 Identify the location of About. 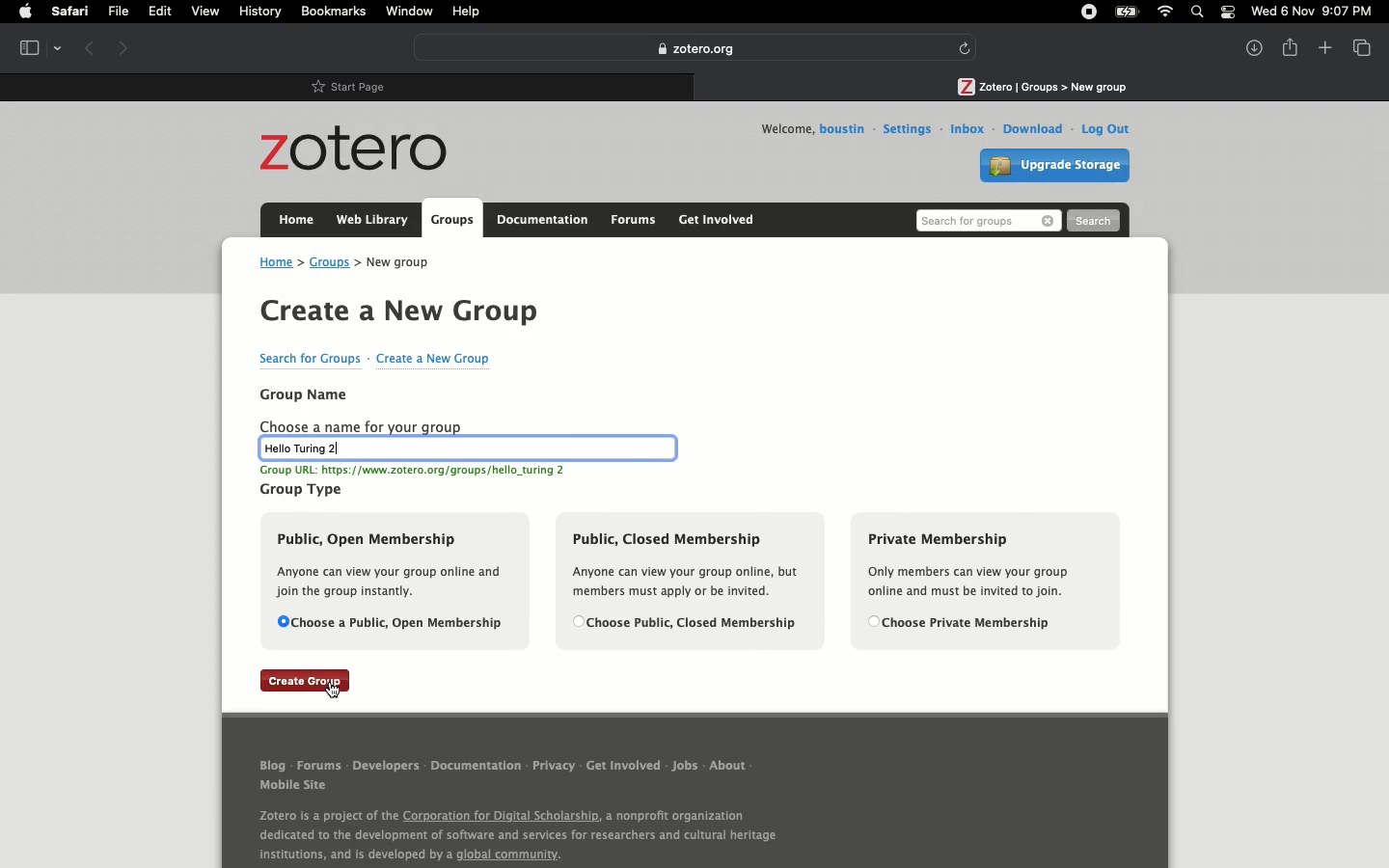
(729, 764).